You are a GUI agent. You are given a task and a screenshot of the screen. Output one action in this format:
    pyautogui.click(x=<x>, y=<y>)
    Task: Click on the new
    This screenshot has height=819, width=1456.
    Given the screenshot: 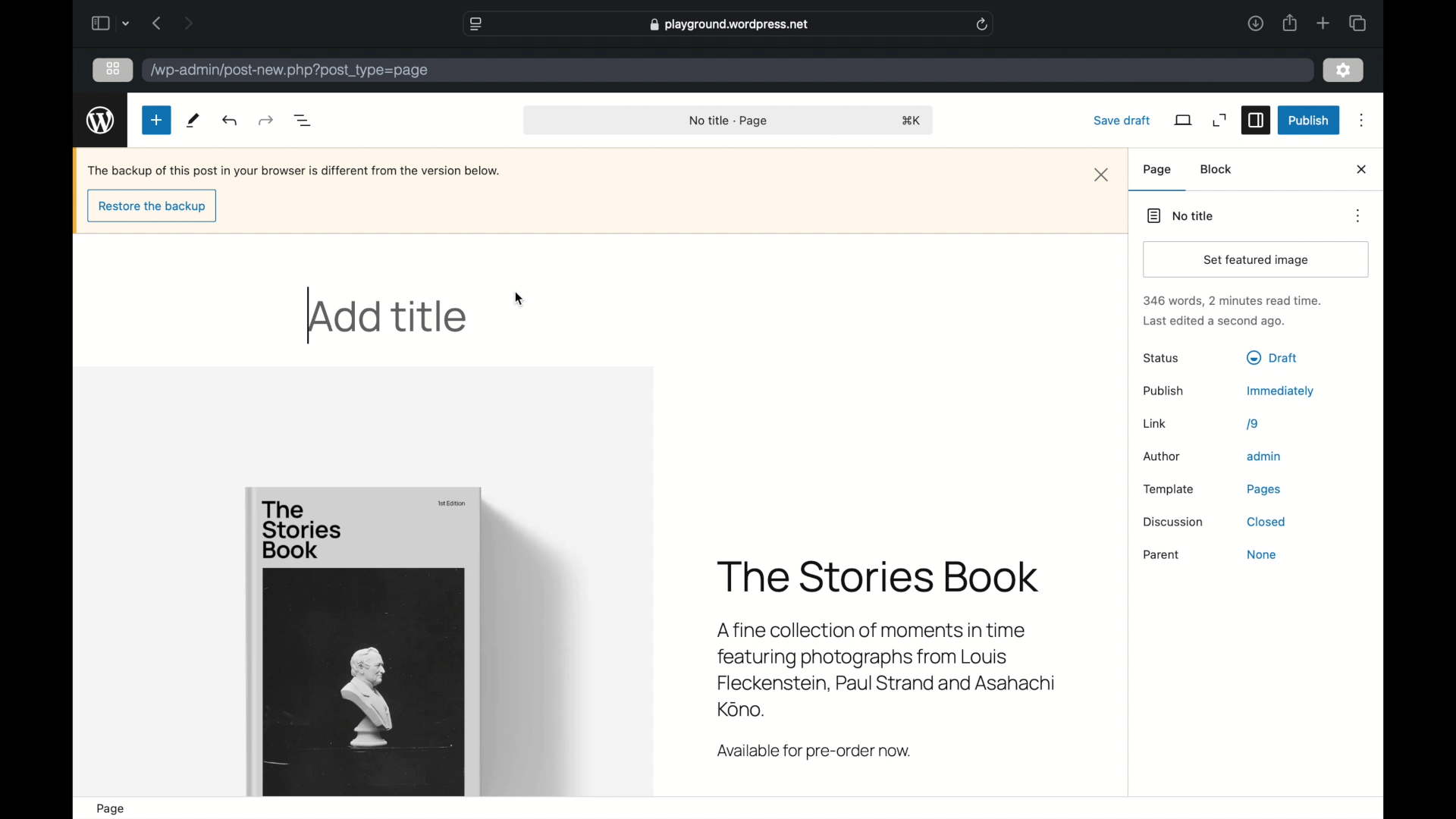 What is the action you would take?
    pyautogui.click(x=157, y=121)
    